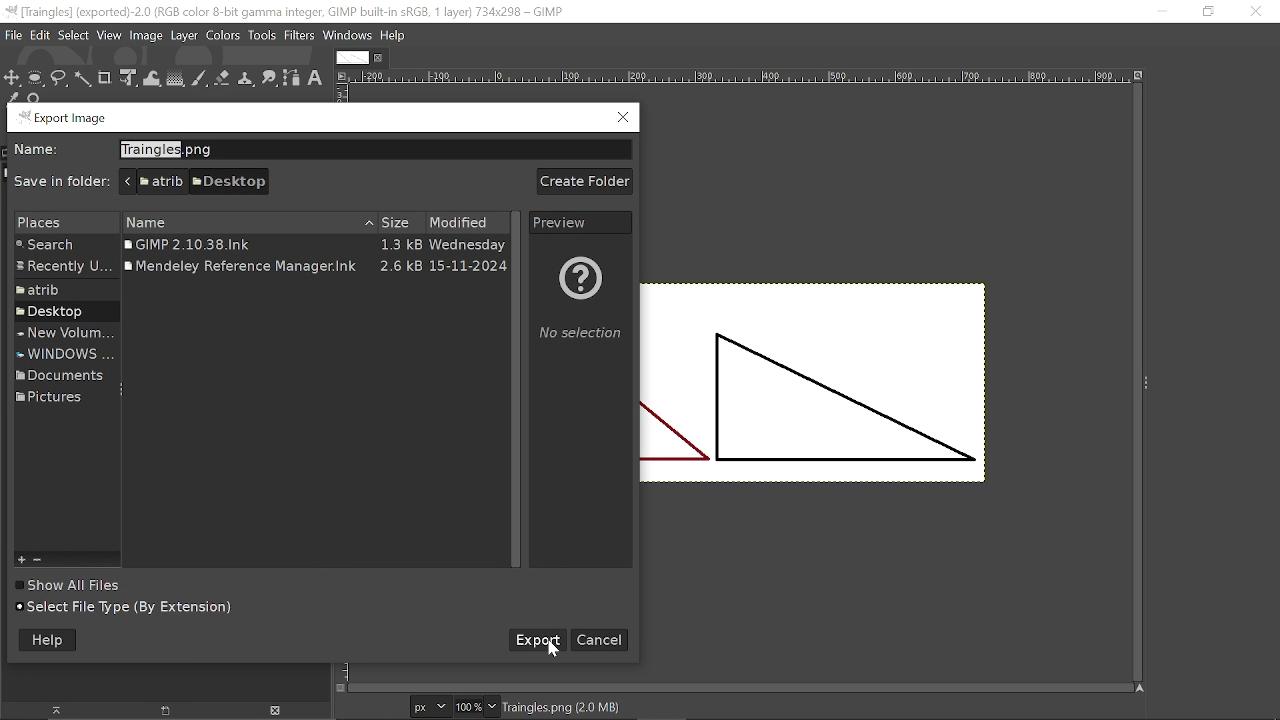 This screenshot has width=1280, height=720. What do you see at coordinates (431, 706) in the screenshot?
I see `Pixel` at bounding box center [431, 706].